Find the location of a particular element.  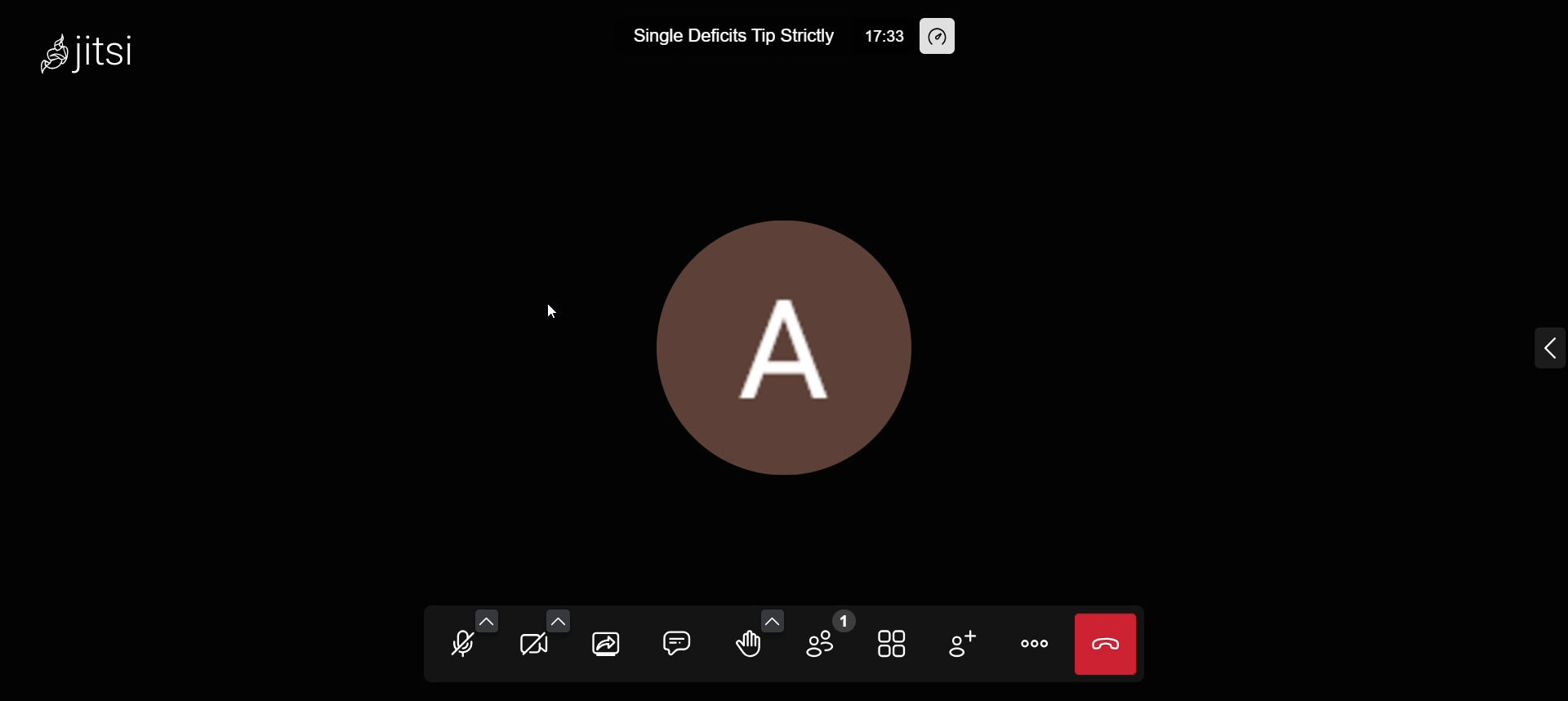

start screen sharing is located at coordinates (609, 643).